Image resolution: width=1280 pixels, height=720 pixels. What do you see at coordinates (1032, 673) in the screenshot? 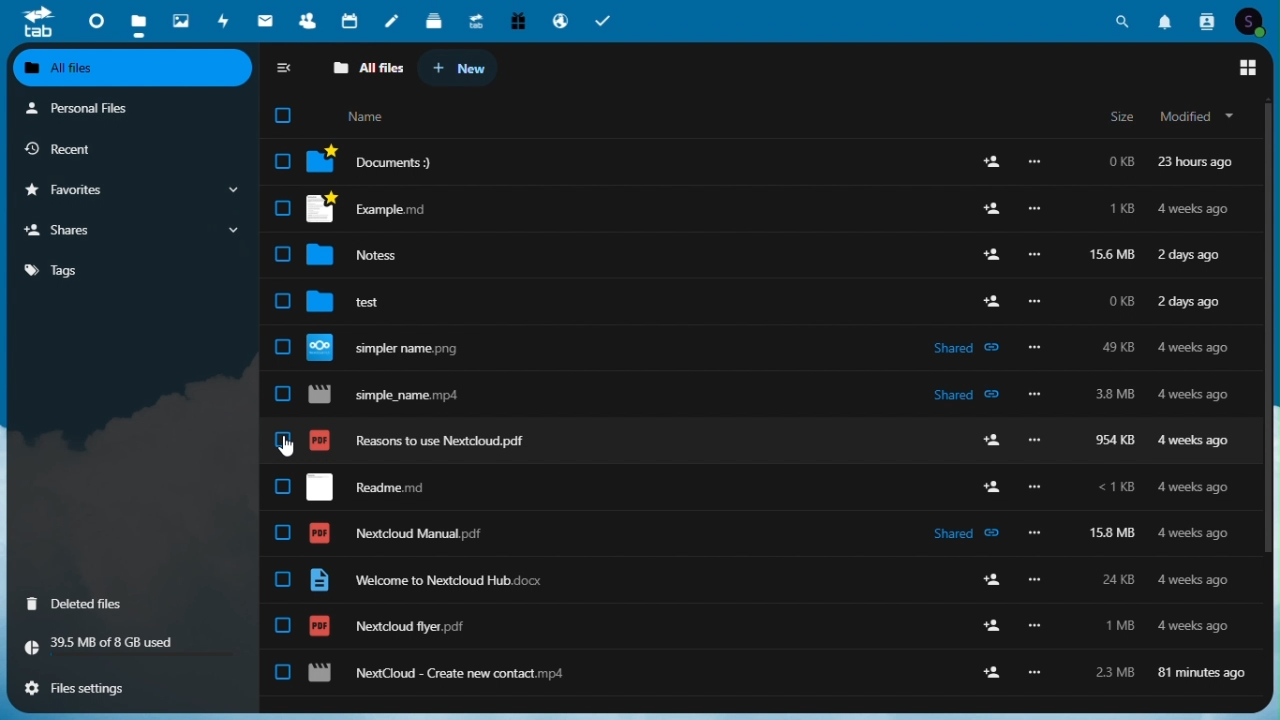
I see `` at bounding box center [1032, 673].